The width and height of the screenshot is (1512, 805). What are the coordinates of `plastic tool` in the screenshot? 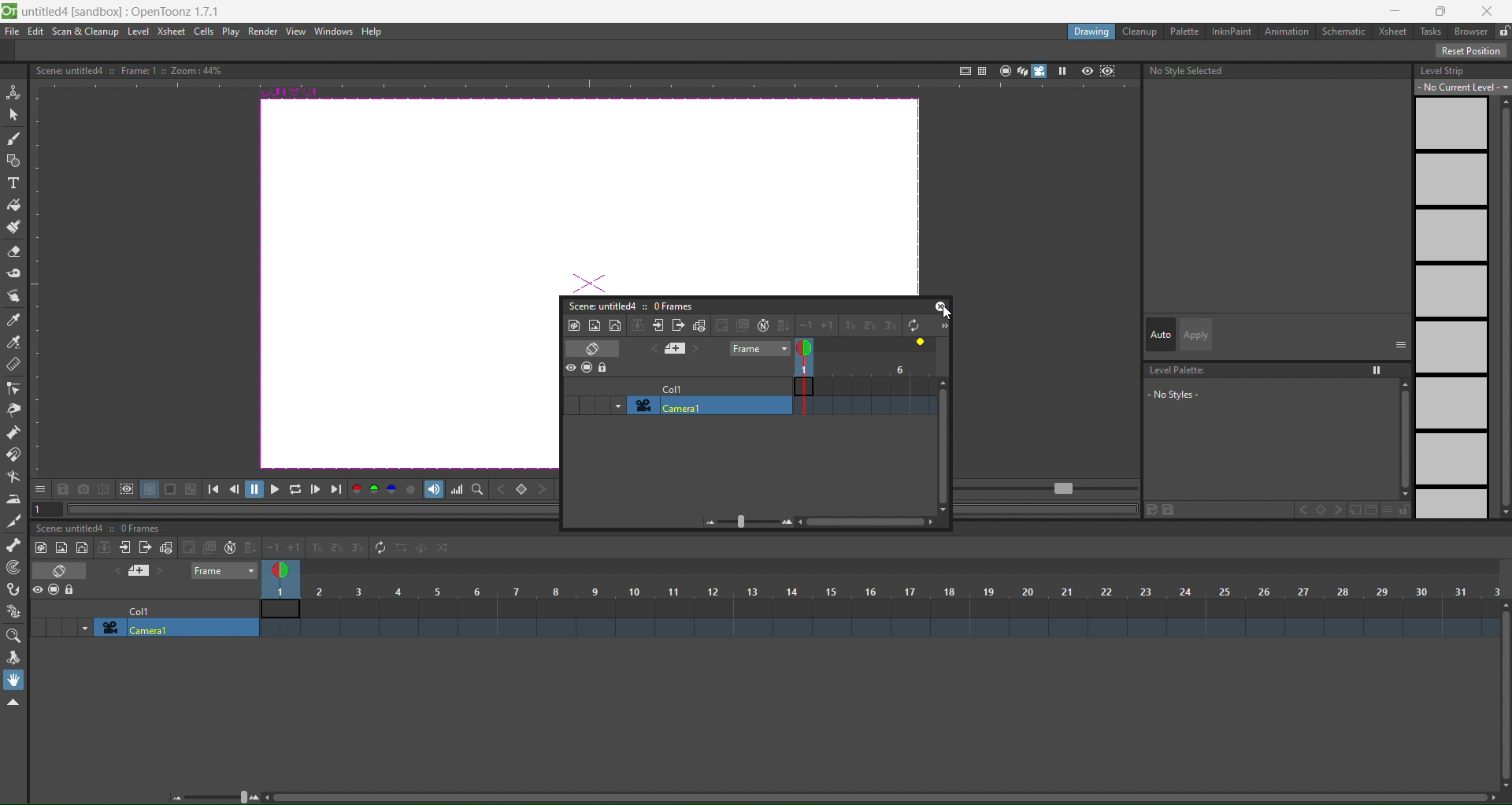 It's located at (14, 607).